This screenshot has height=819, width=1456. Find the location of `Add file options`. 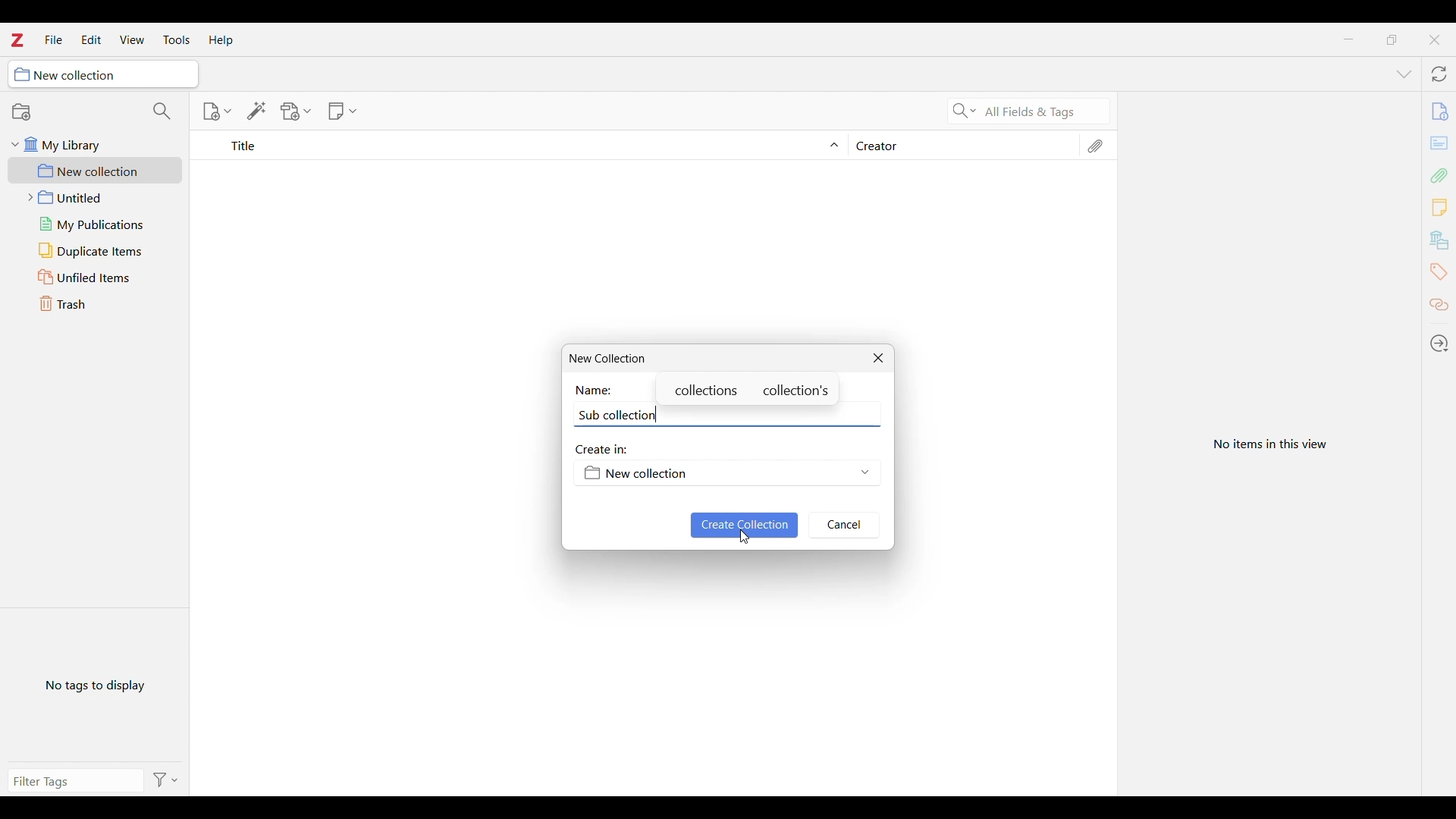

Add file options is located at coordinates (296, 111).